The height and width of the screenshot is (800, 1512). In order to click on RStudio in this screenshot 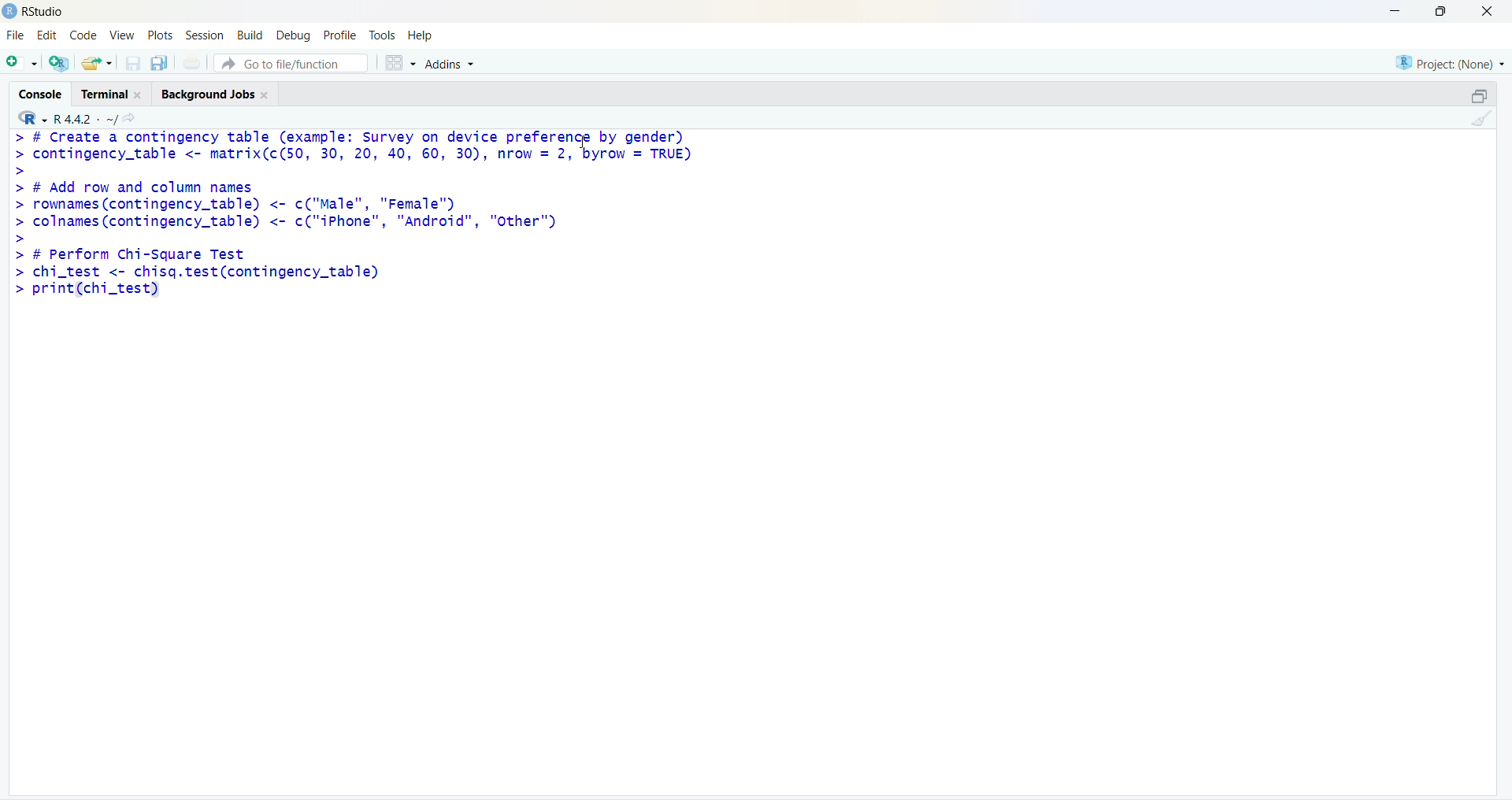, I will do `click(46, 12)`.